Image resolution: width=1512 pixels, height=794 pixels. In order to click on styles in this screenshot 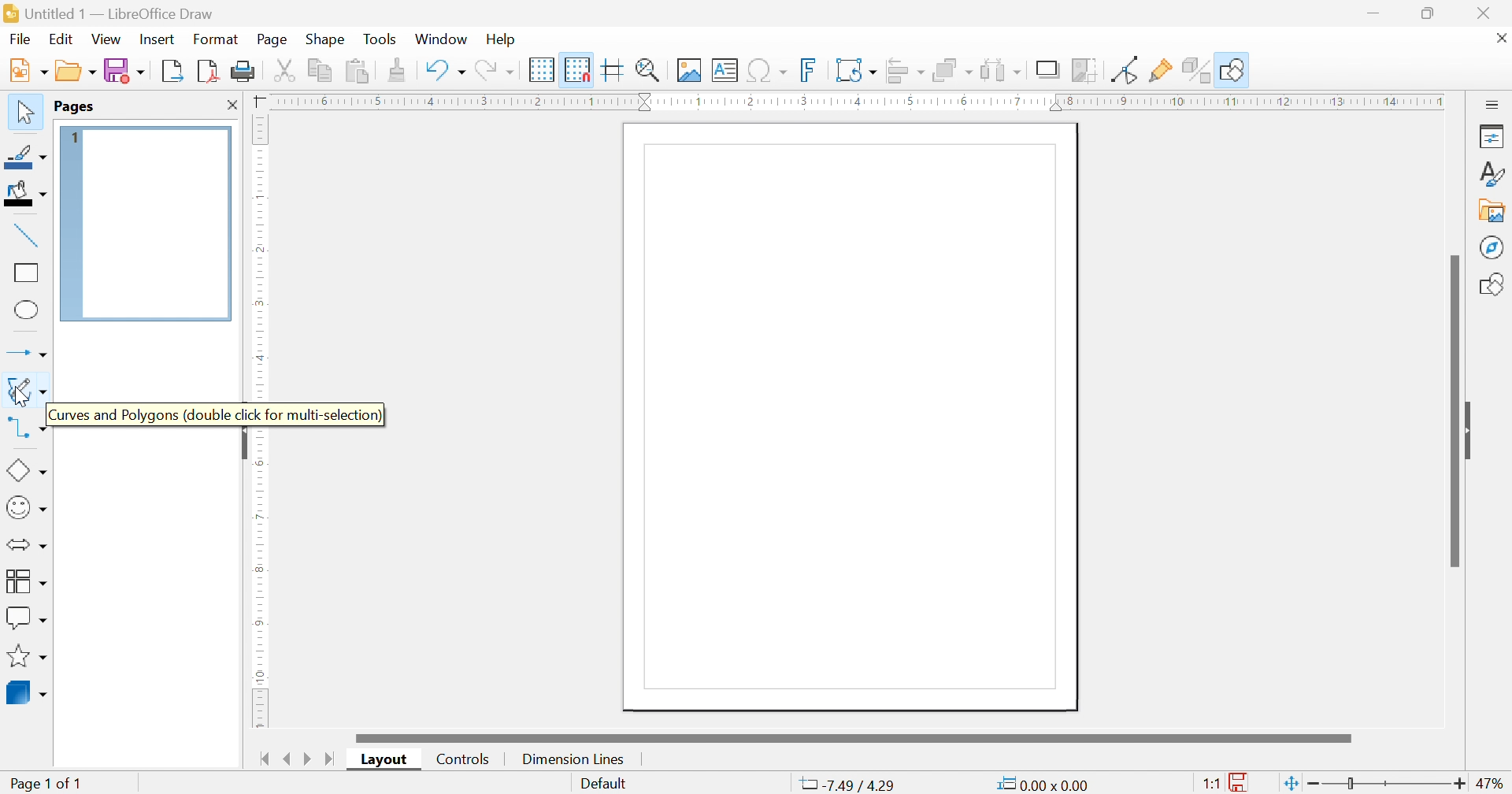, I will do `click(1492, 173)`.